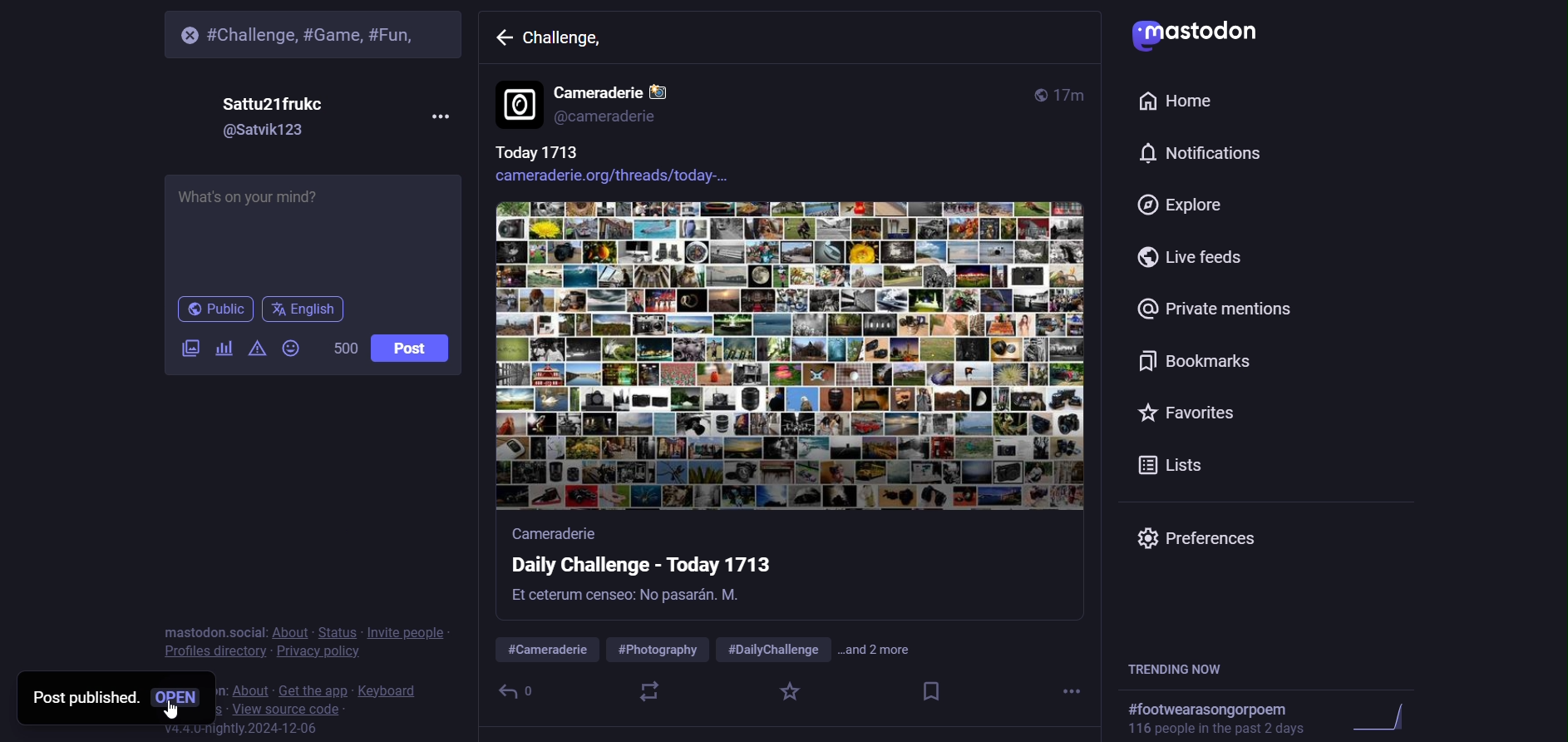 The width and height of the screenshot is (1568, 742). Describe the element at coordinates (409, 633) in the screenshot. I see `invite people` at that location.